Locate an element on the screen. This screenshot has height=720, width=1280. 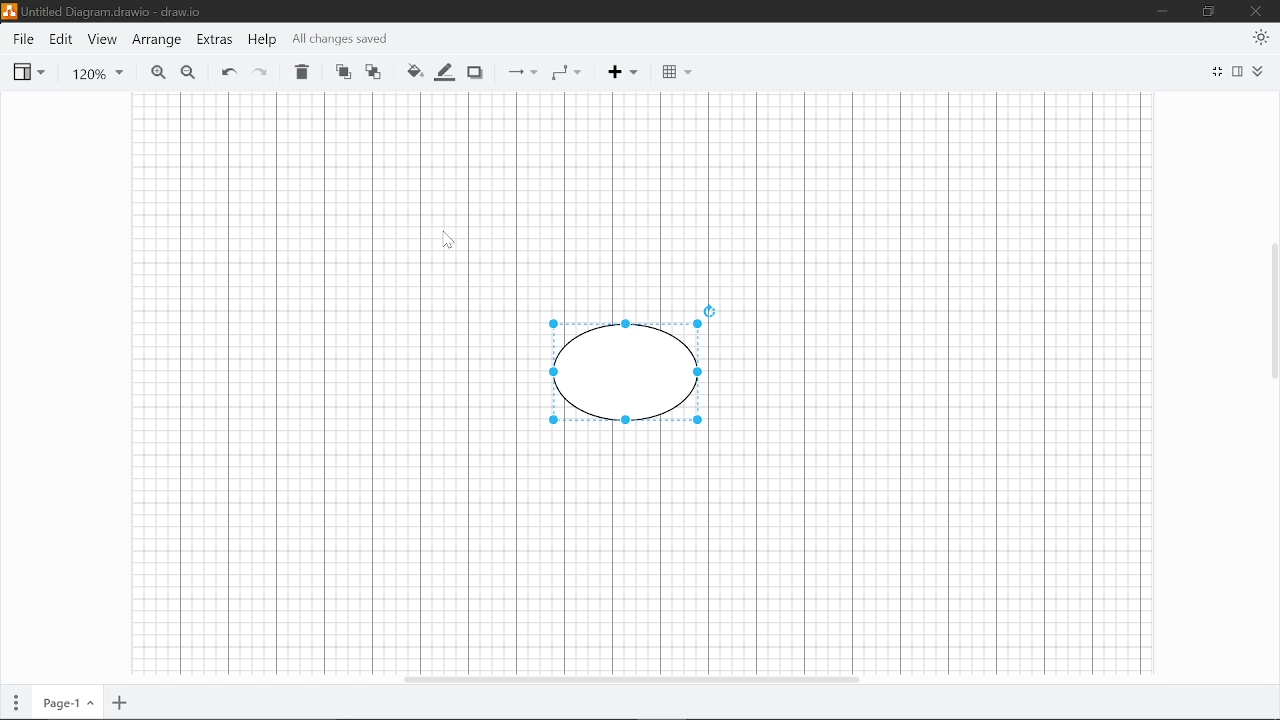
Fill color is located at coordinates (415, 71).